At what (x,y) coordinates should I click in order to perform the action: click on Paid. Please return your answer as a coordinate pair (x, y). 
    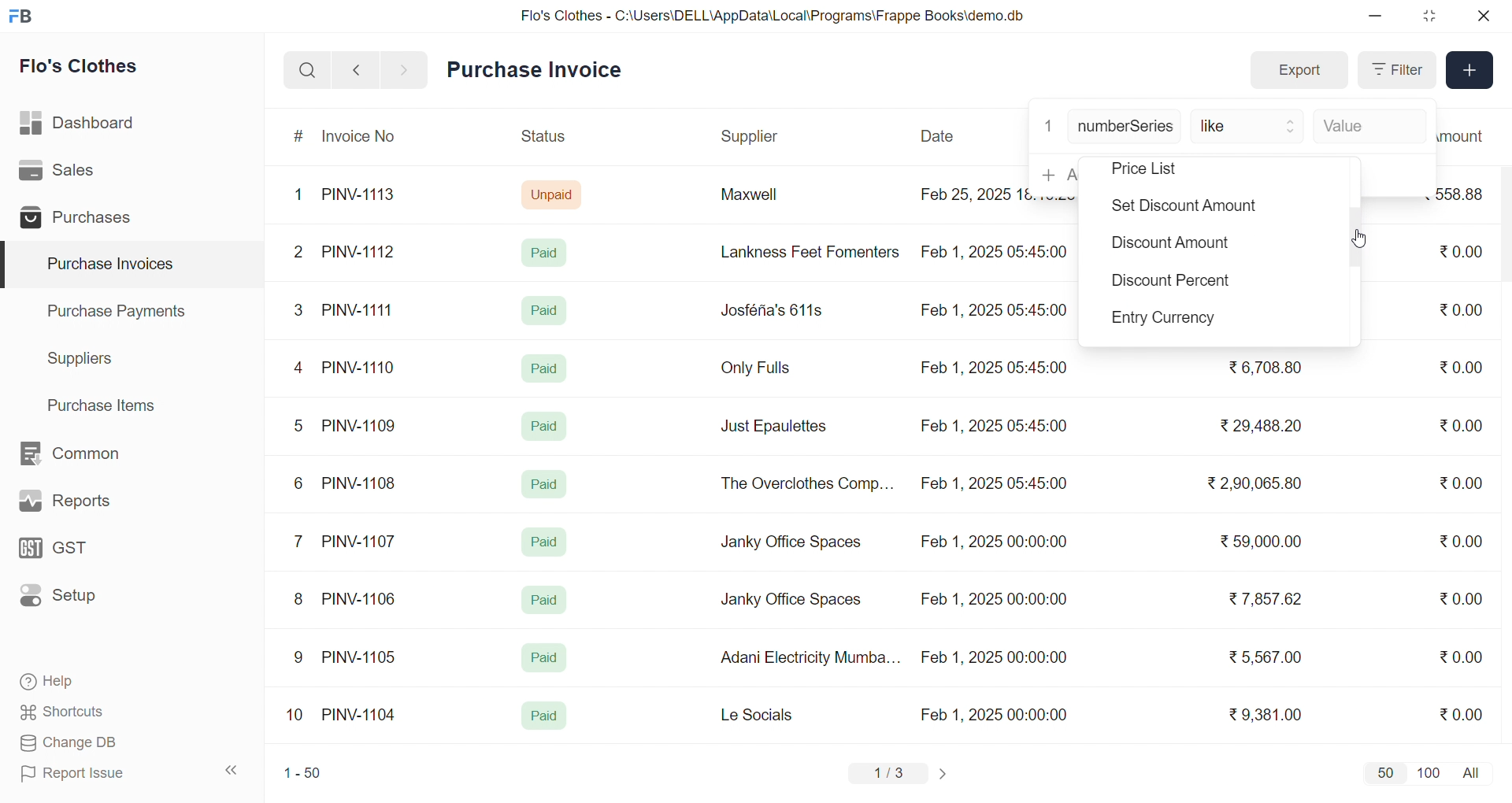
    Looking at the image, I should click on (545, 484).